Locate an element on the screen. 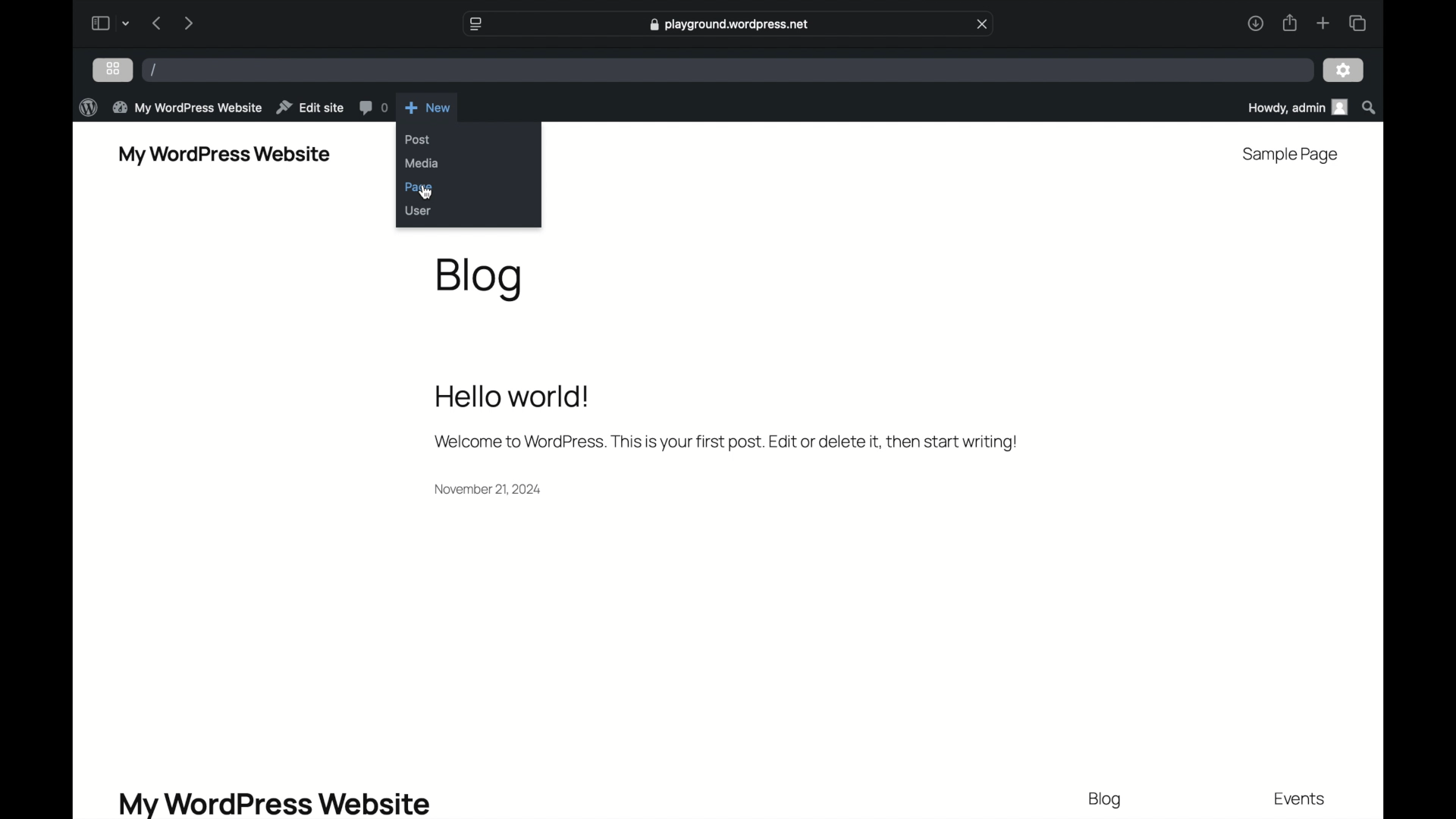 The height and width of the screenshot is (819, 1456). date is located at coordinates (488, 488).